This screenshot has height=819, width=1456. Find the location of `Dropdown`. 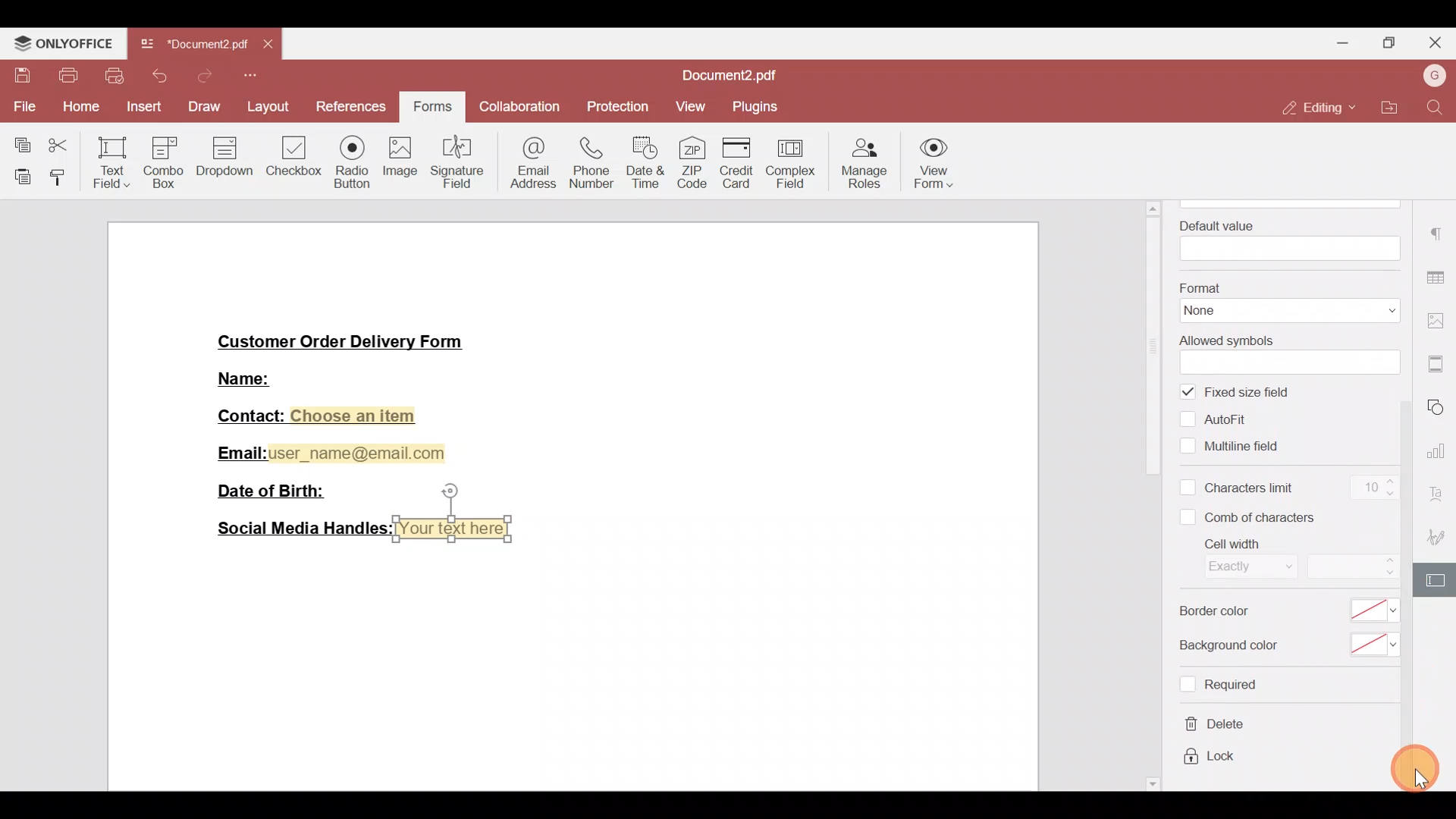

Dropdown is located at coordinates (227, 158).